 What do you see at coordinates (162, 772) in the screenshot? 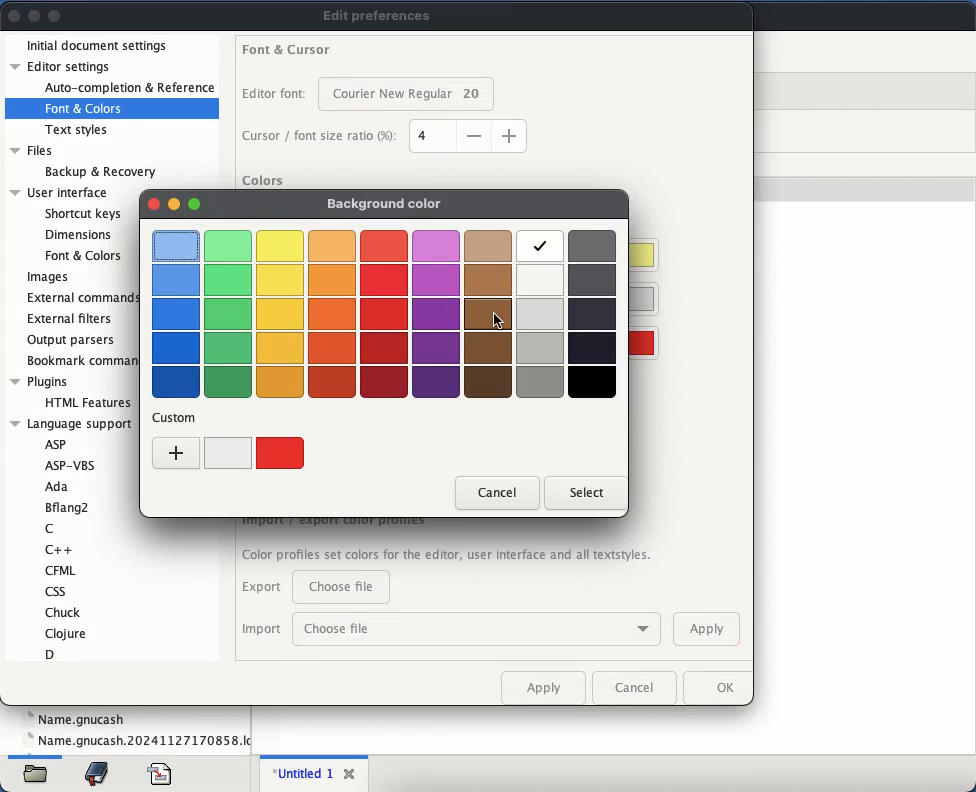
I see `file` at bounding box center [162, 772].